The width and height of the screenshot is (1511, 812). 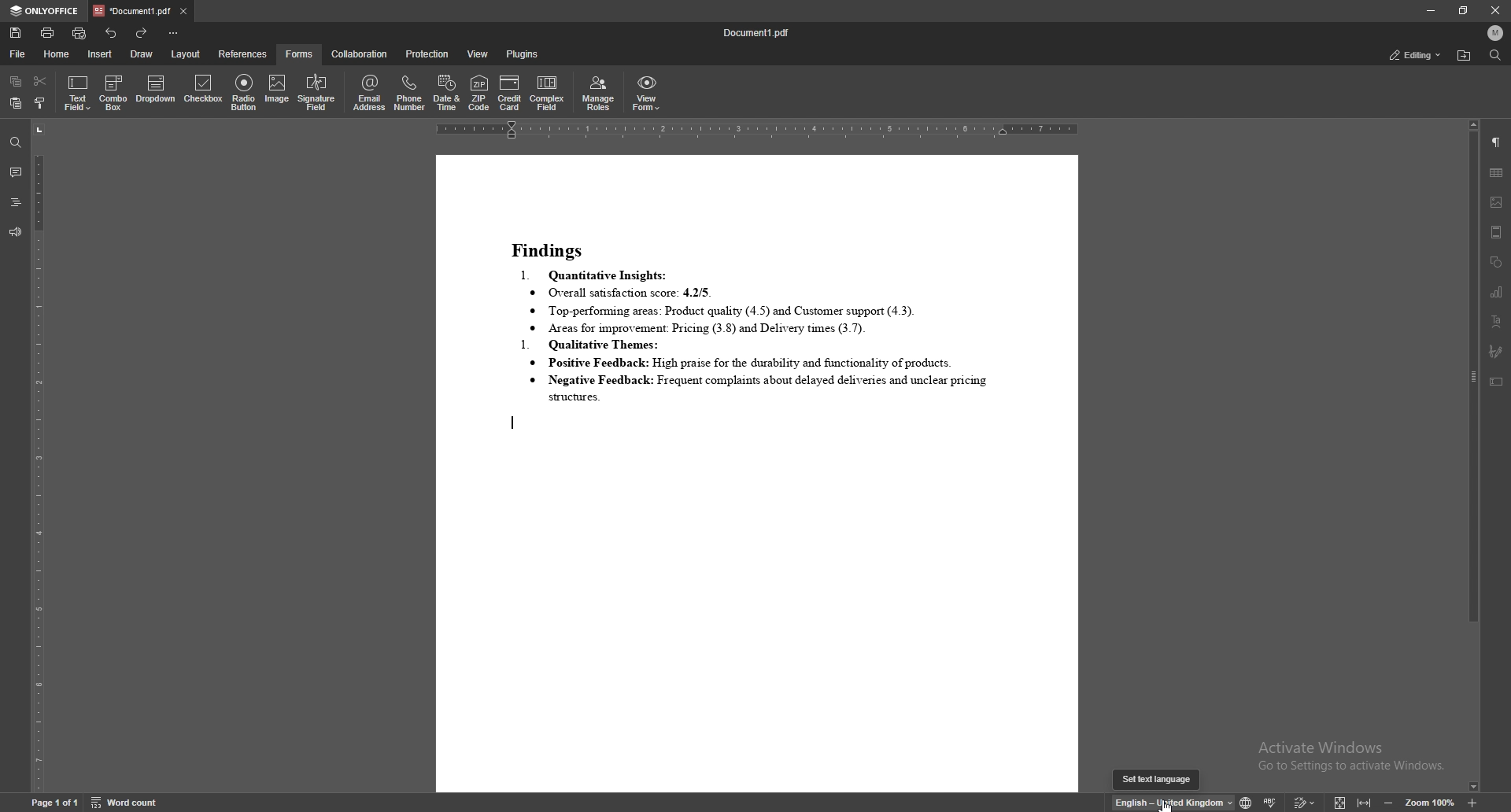 I want to click on paragraph, so click(x=1495, y=142).